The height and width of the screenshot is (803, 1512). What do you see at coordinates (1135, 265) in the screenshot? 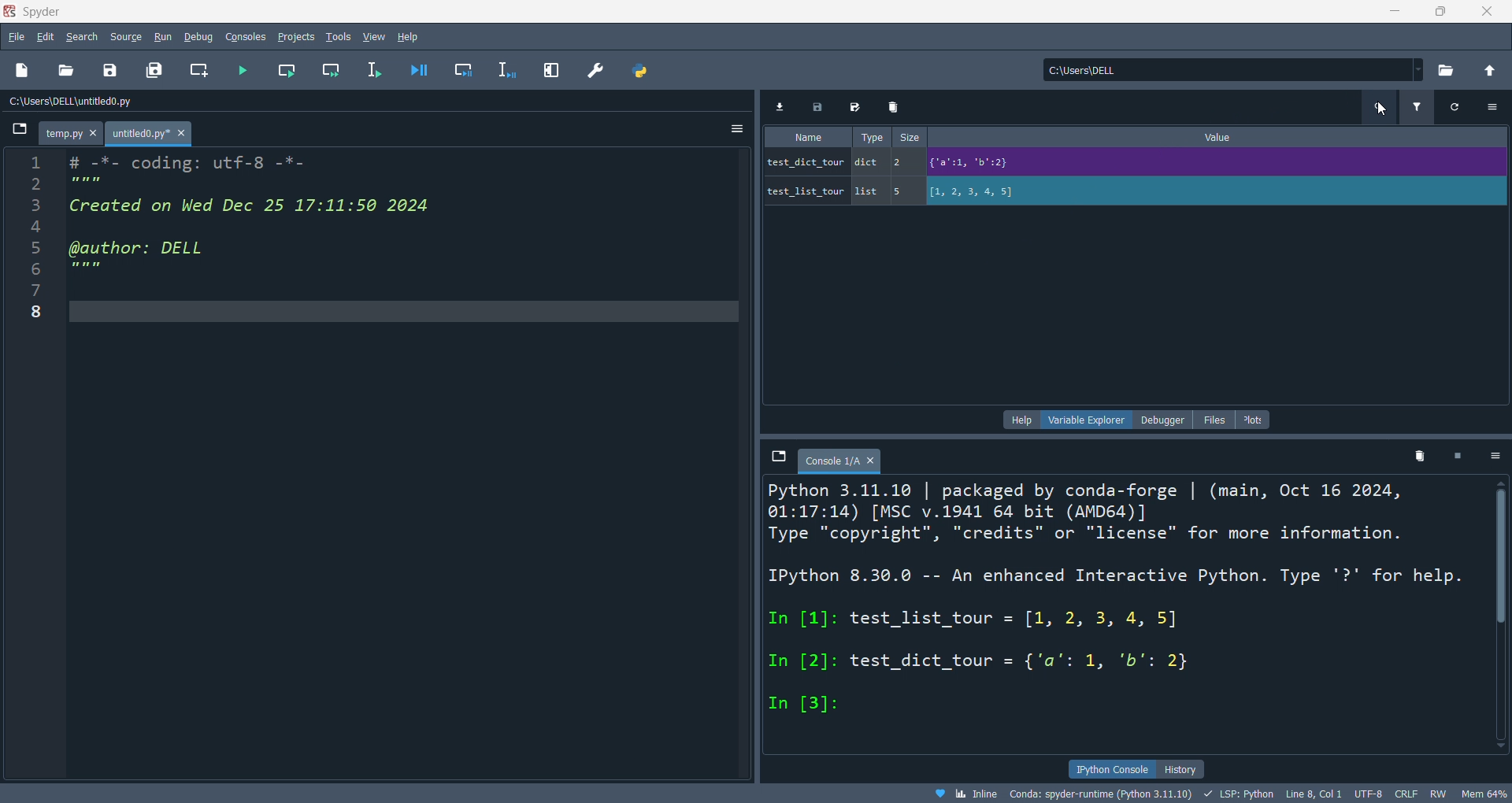
I see `variable explorer pane` at bounding box center [1135, 265].